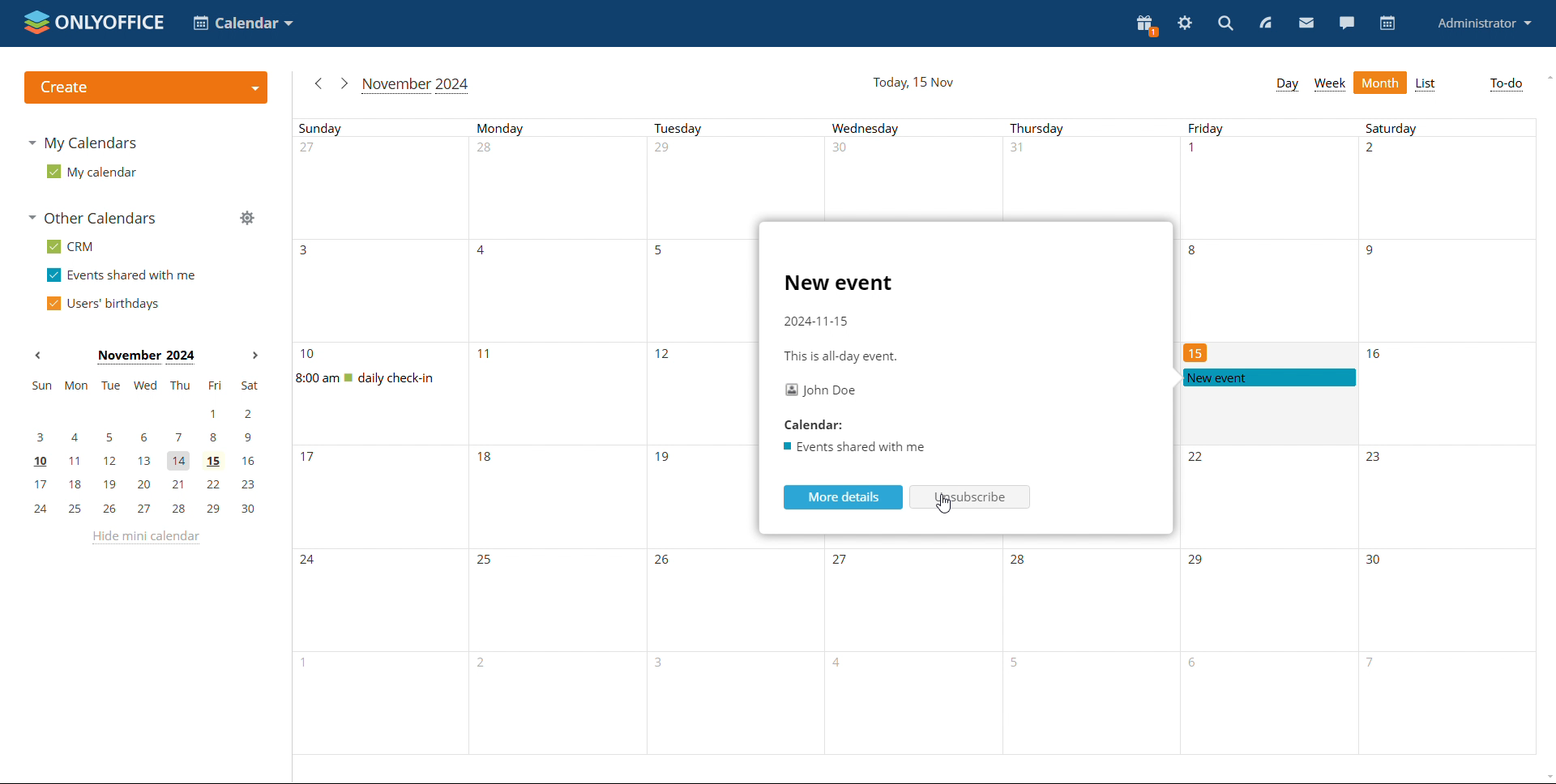 This screenshot has width=1556, height=784. What do you see at coordinates (149, 438) in the screenshot?
I see `3, 4, 5, 6, 7, 8, 9` at bounding box center [149, 438].